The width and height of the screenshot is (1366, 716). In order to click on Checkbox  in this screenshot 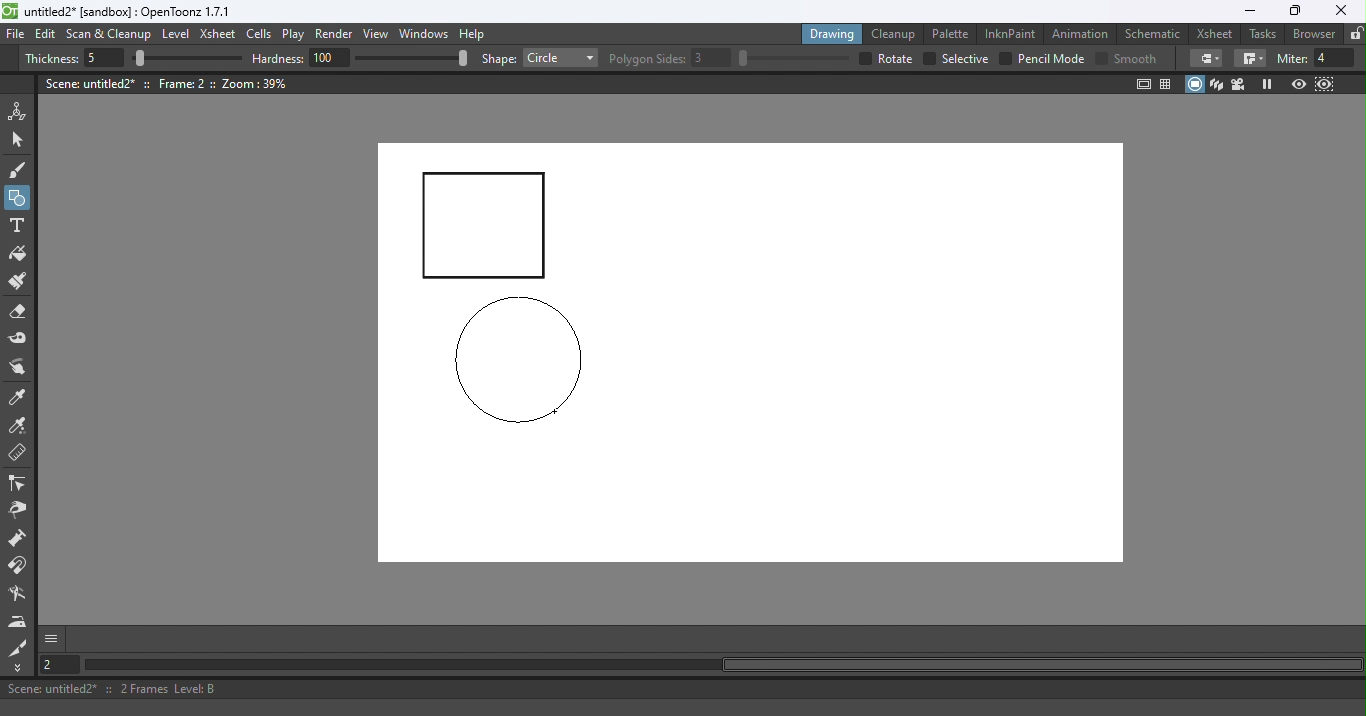, I will do `click(1101, 57)`.